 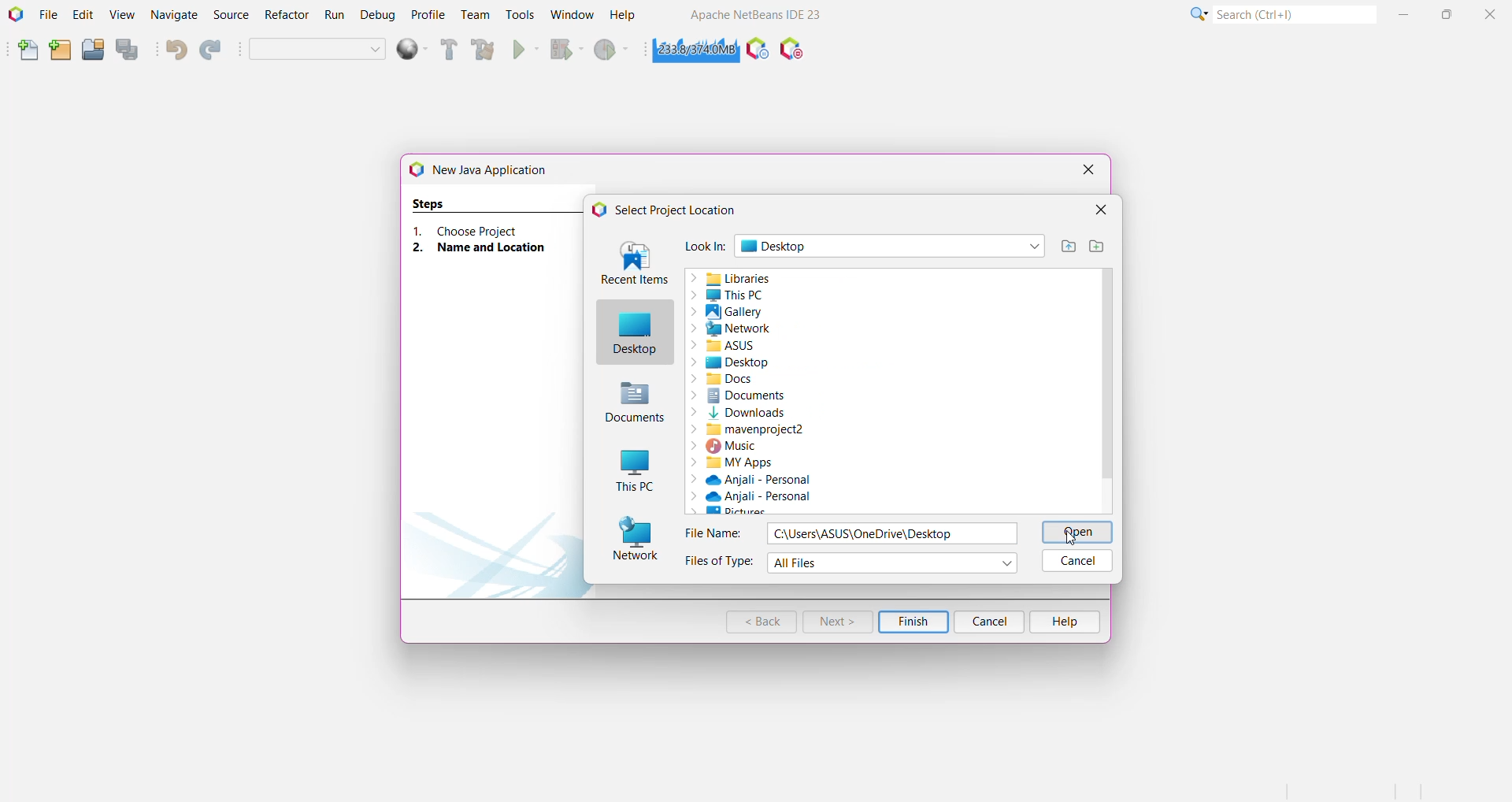 I want to click on Run, so click(x=335, y=16).